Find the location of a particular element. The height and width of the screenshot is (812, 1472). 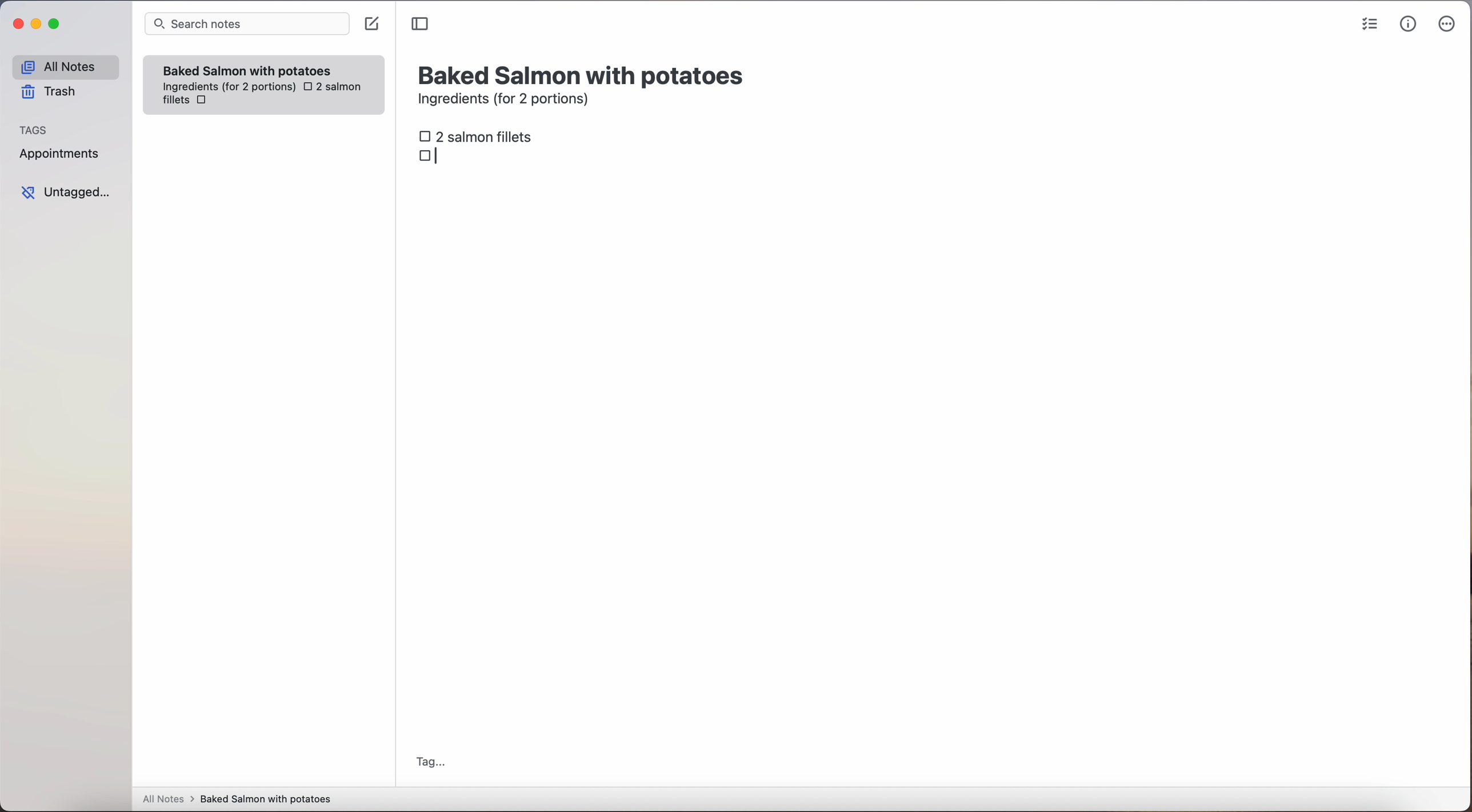

all notes > baked Salmon with potatoes is located at coordinates (237, 798).